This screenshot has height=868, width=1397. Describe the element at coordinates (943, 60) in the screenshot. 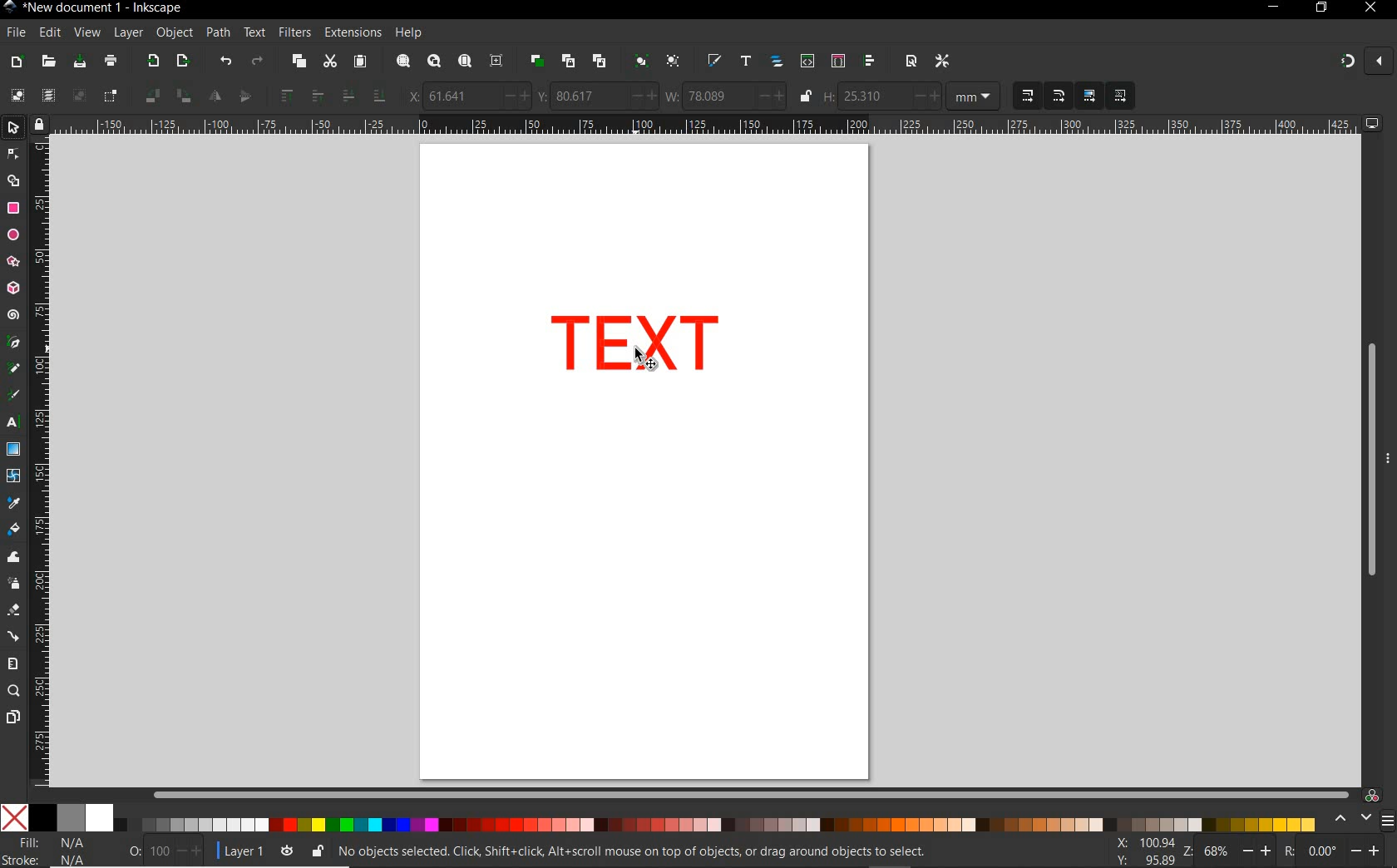

I see `open preferences` at that location.